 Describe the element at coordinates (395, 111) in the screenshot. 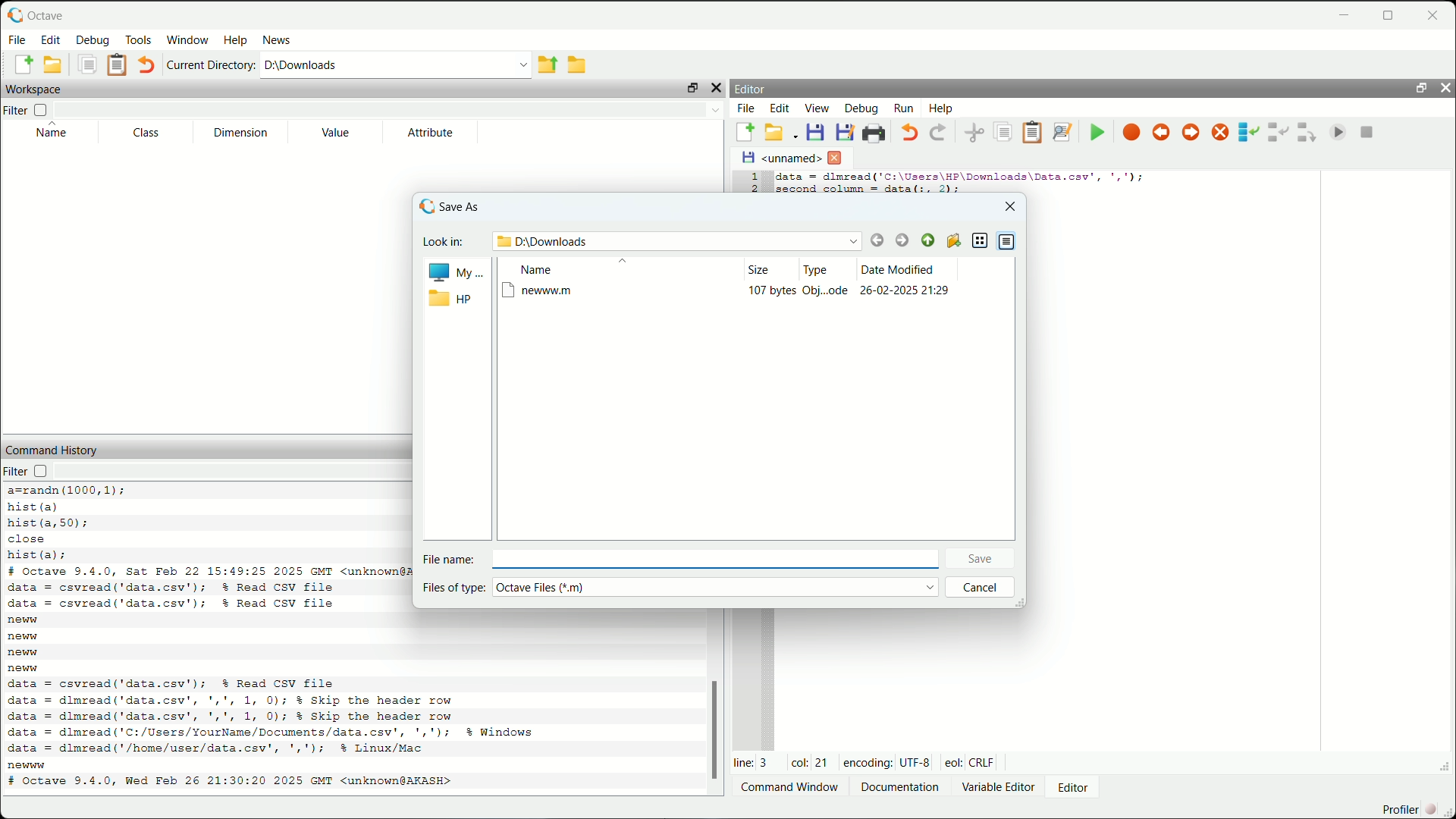

I see `filter input field` at that location.